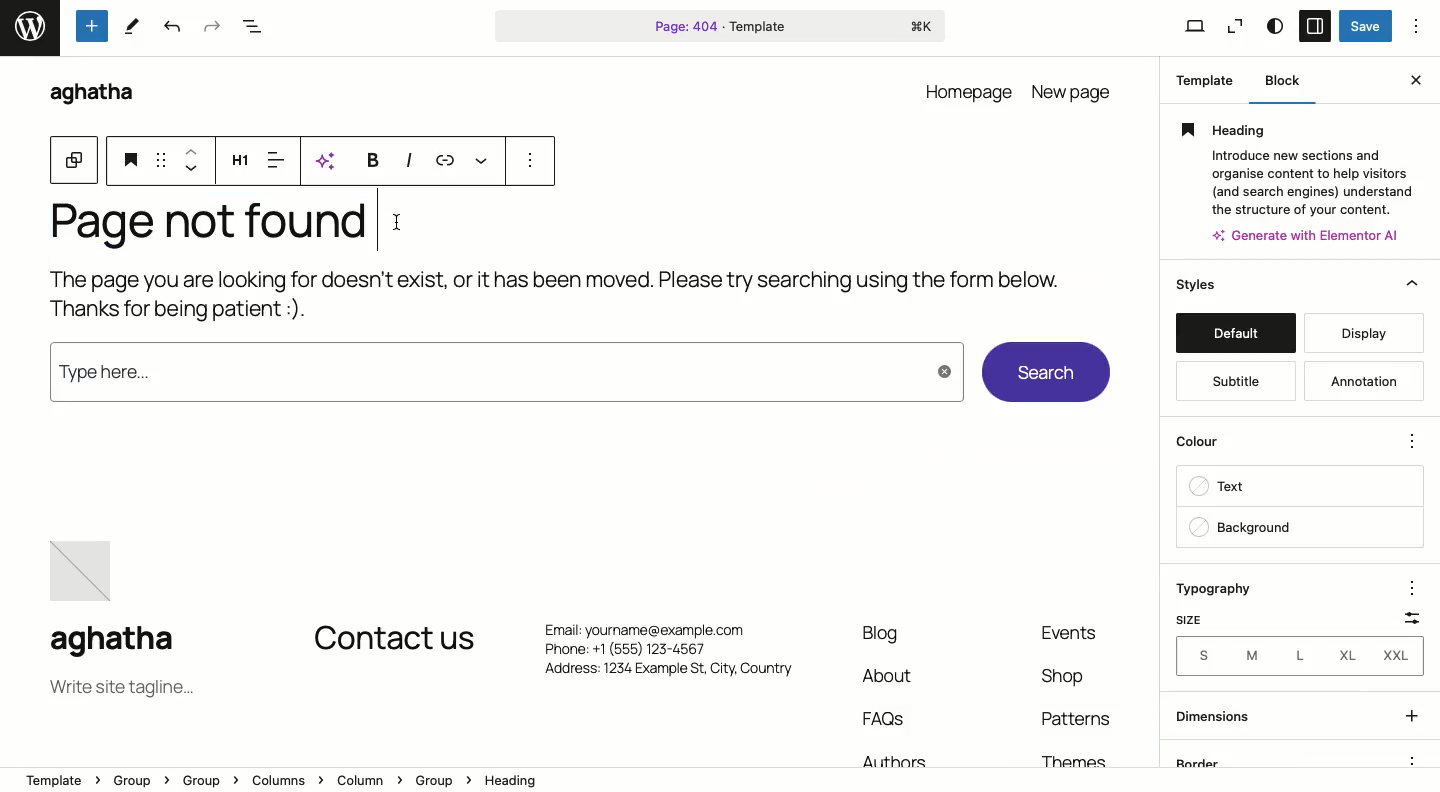 This screenshot has width=1440, height=792. I want to click on M, so click(1249, 656).